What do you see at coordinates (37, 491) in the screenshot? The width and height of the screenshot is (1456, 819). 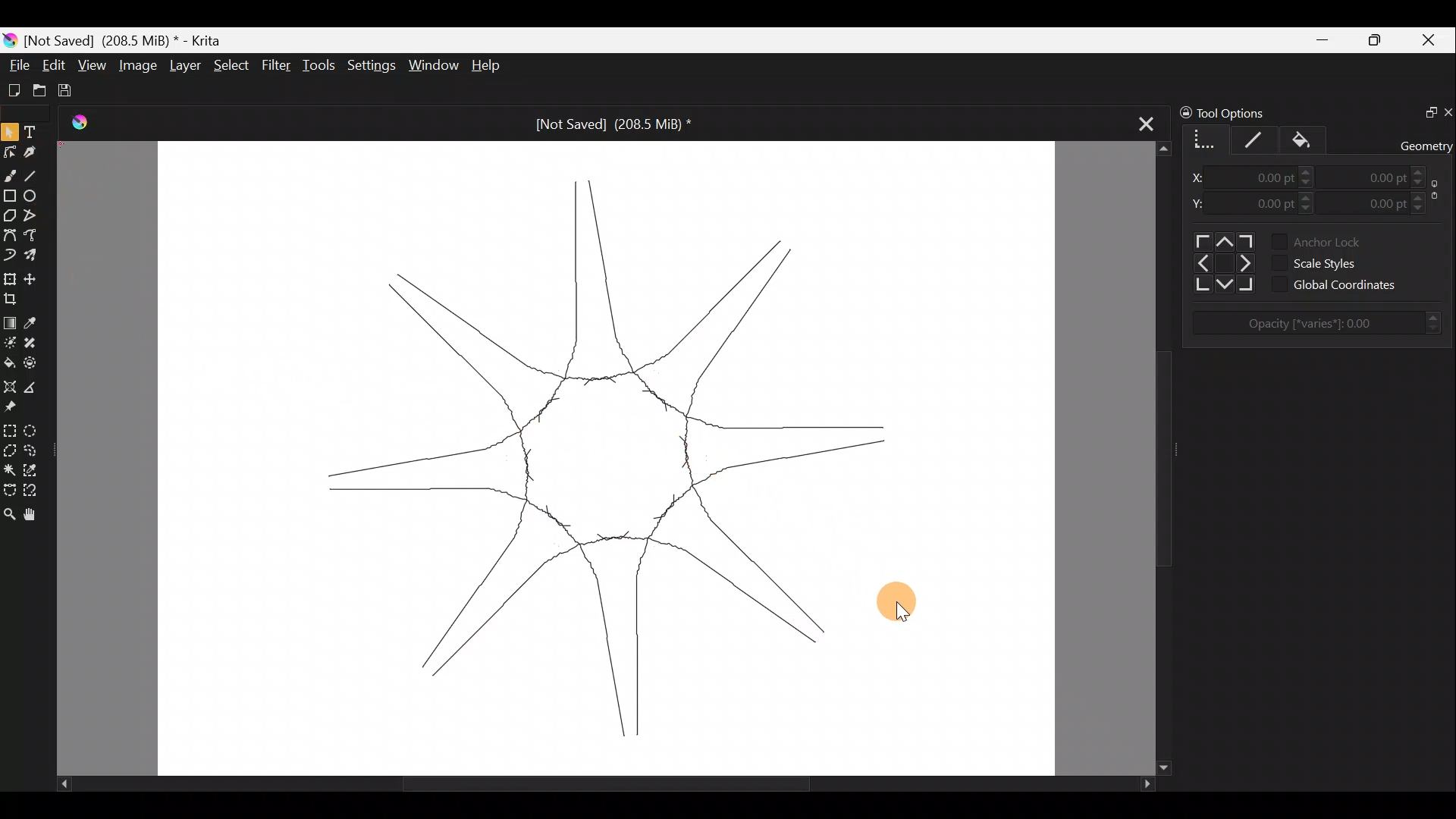 I see `Magnetic curve selection tool` at bounding box center [37, 491].